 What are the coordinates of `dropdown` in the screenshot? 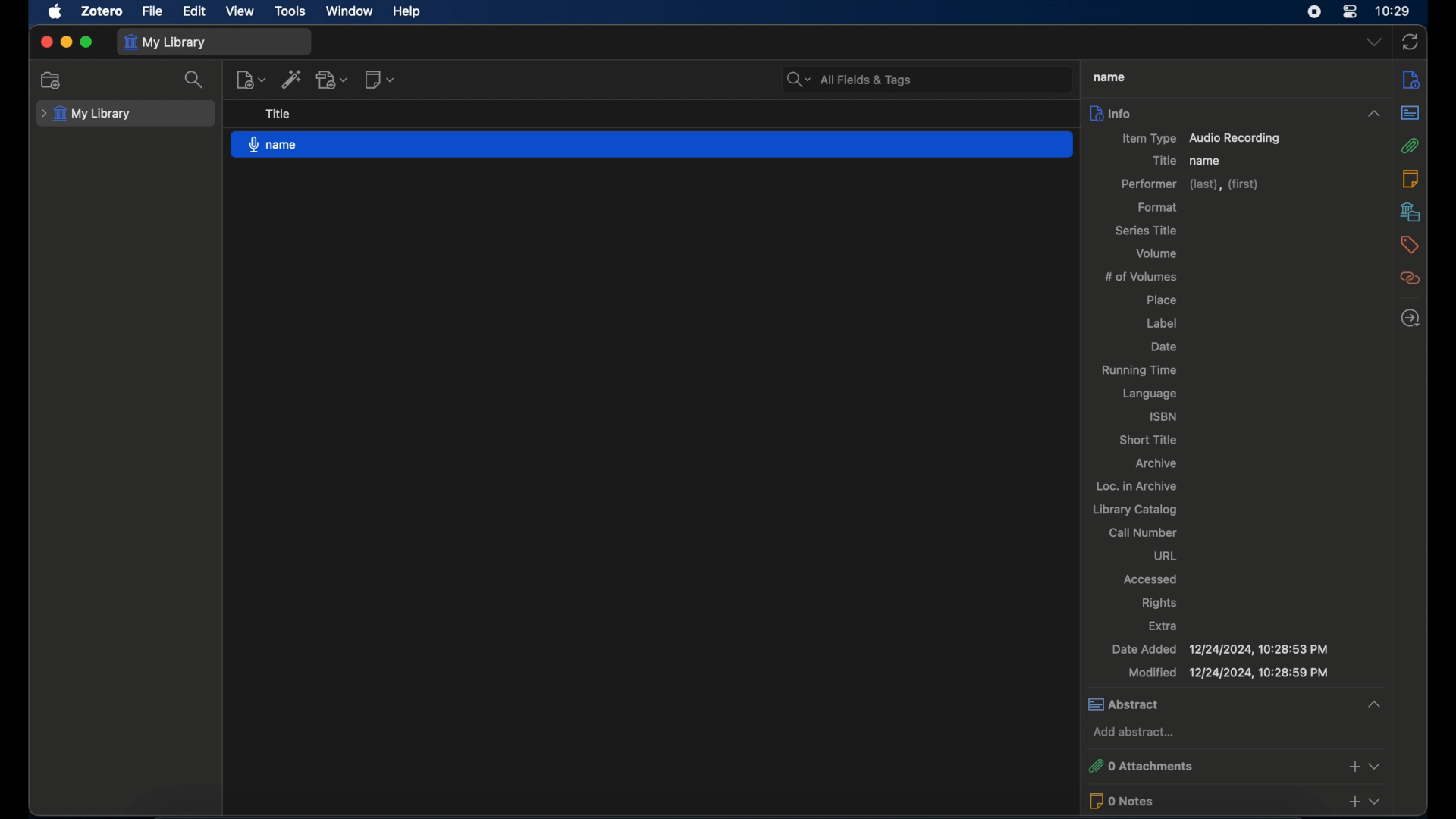 It's located at (1373, 42).